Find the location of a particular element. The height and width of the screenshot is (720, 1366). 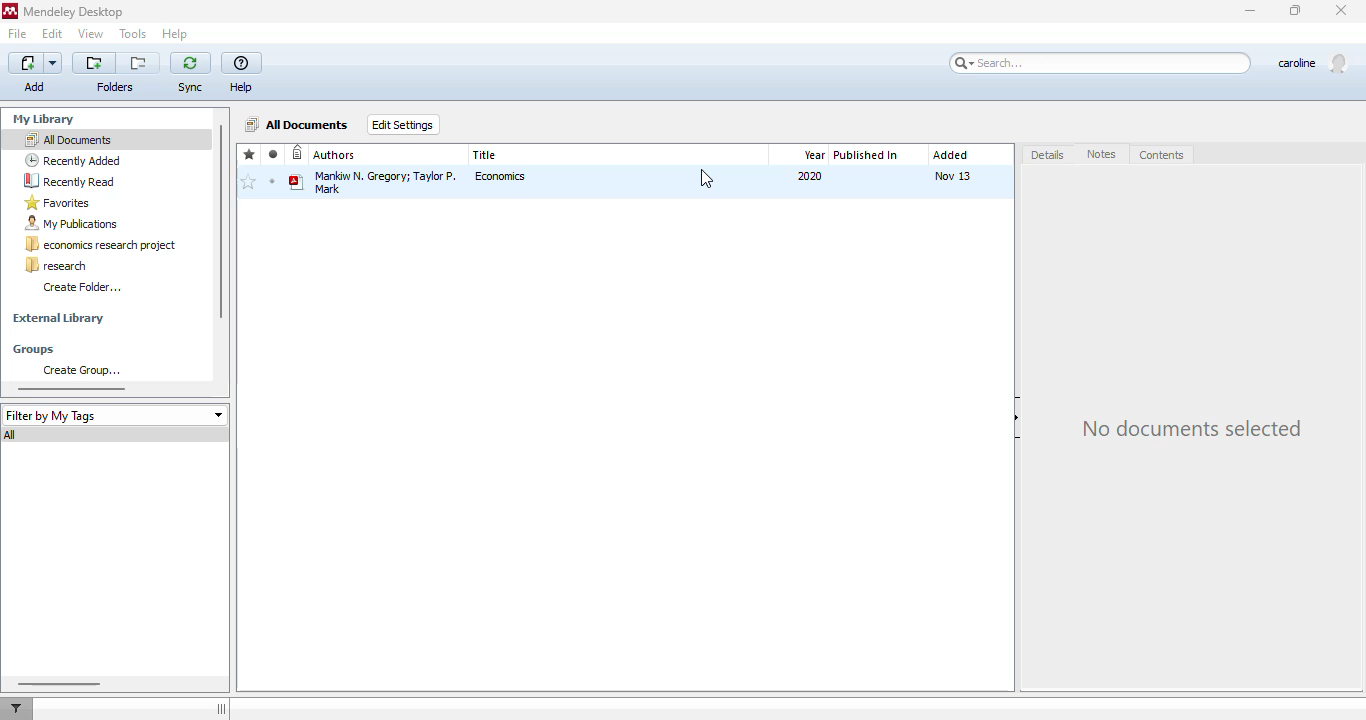

close is located at coordinates (1343, 11).